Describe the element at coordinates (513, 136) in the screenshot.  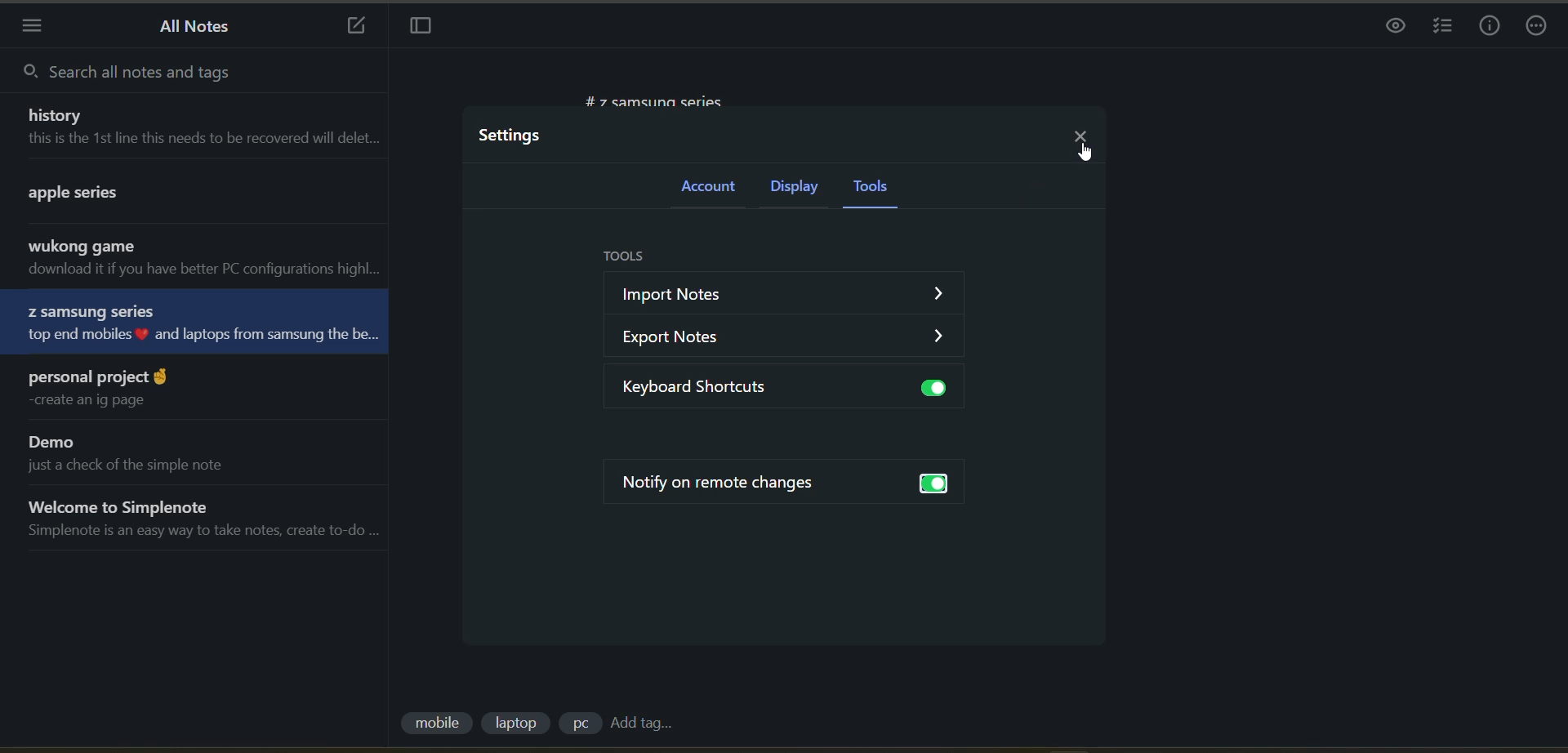
I see `settings` at that location.